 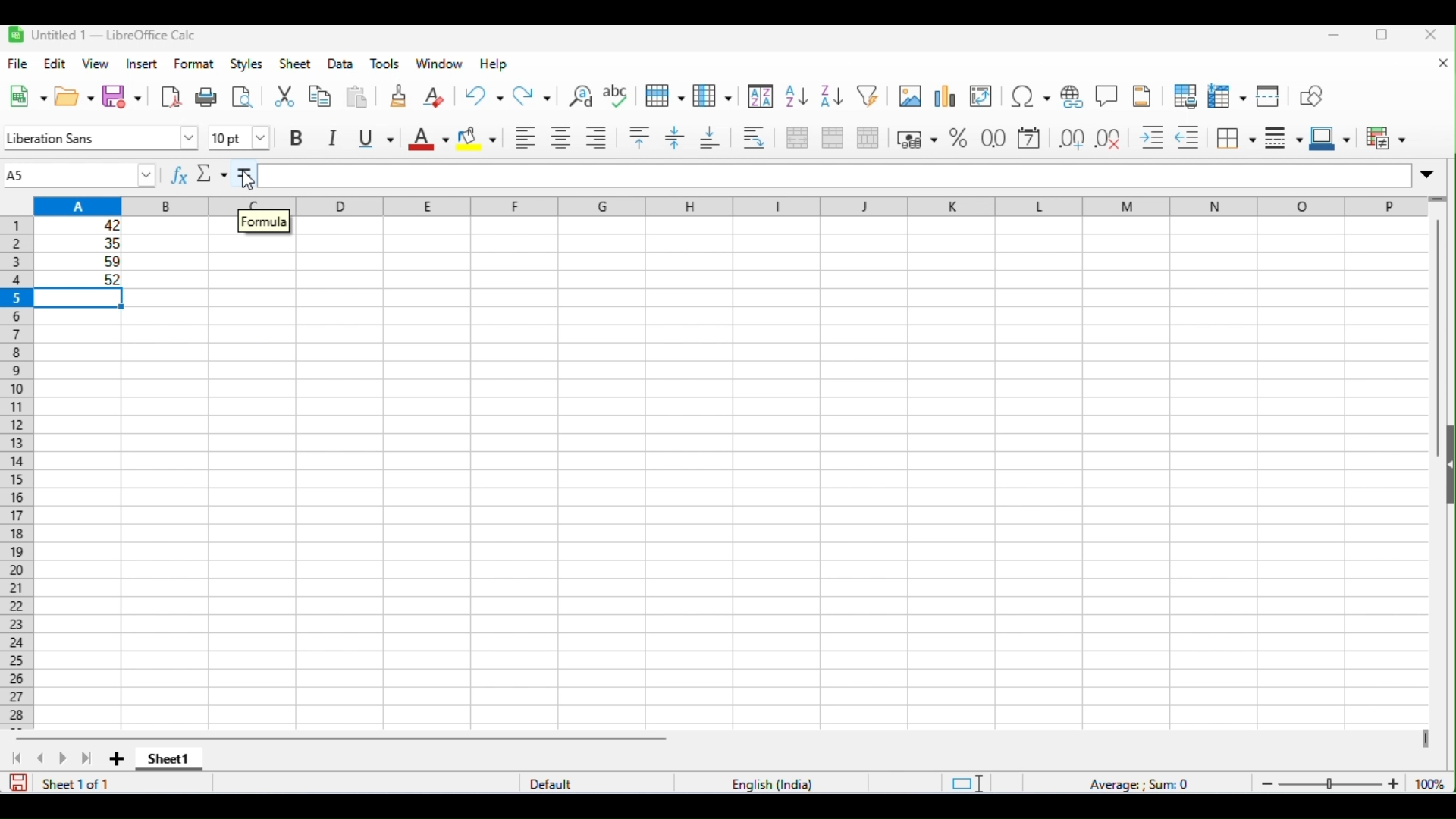 I want to click on decrease indent, so click(x=1188, y=137).